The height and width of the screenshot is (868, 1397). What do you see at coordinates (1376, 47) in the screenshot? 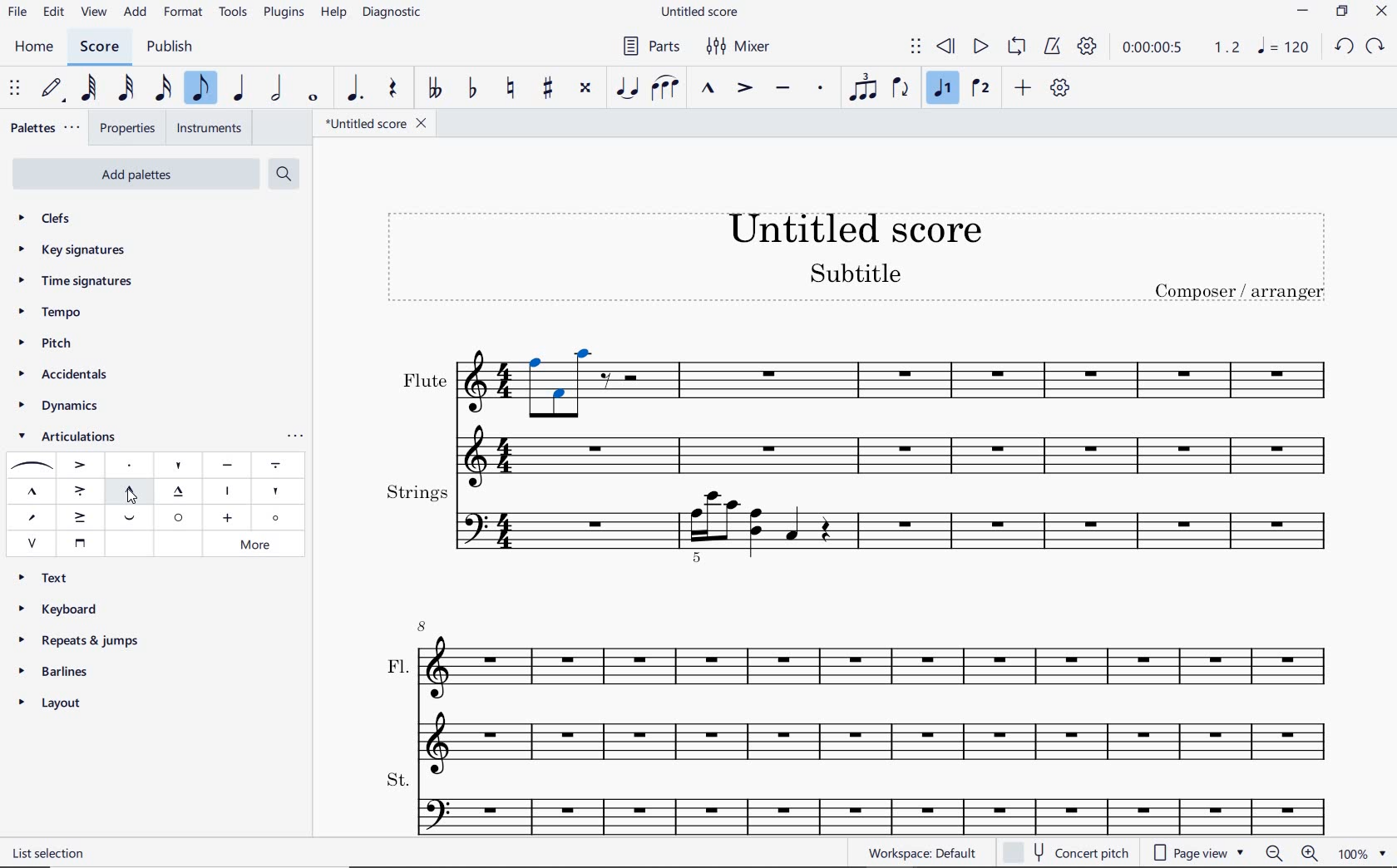
I see `redo` at bounding box center [1376, 47].